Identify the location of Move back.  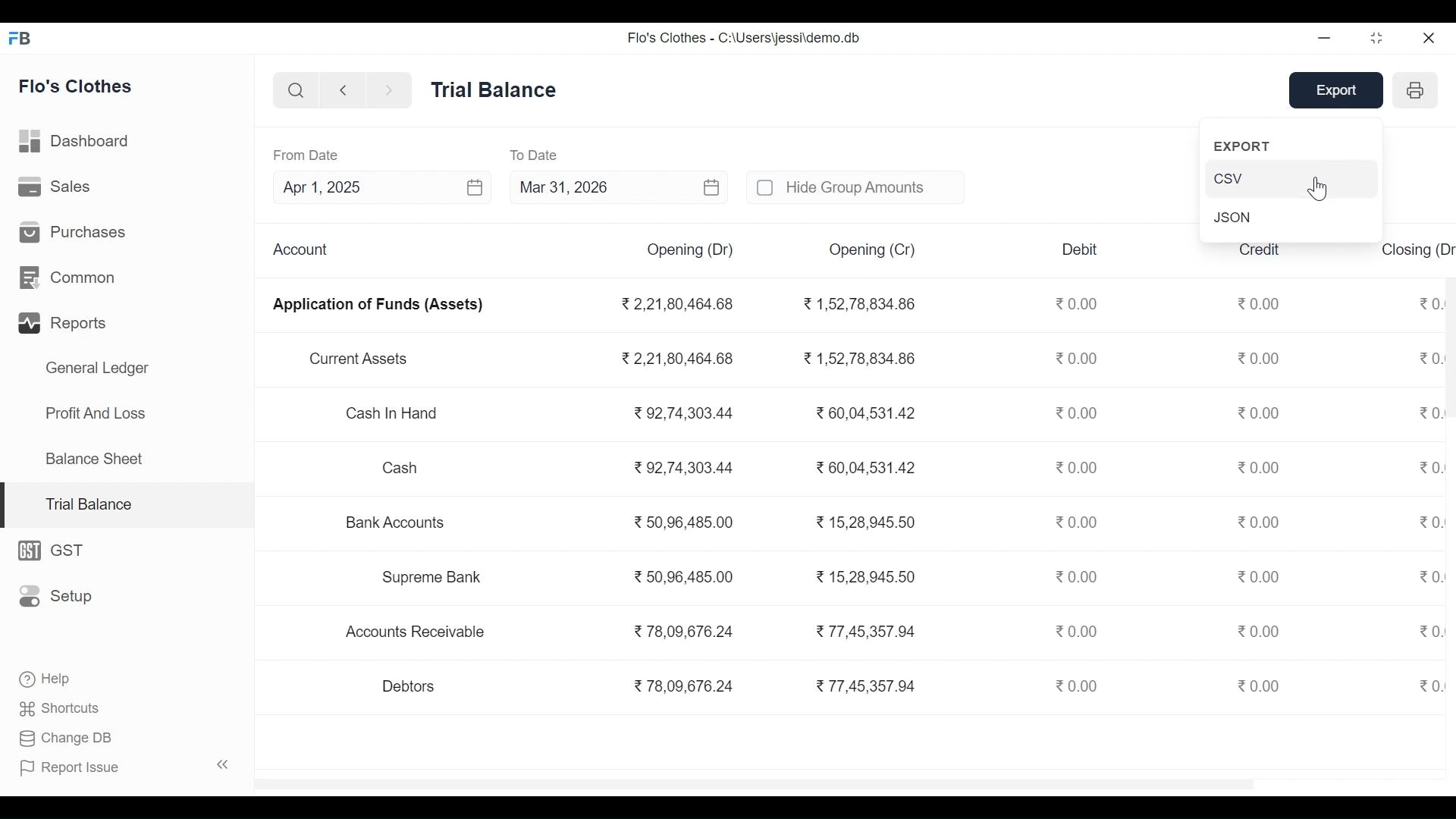
(341, 89).